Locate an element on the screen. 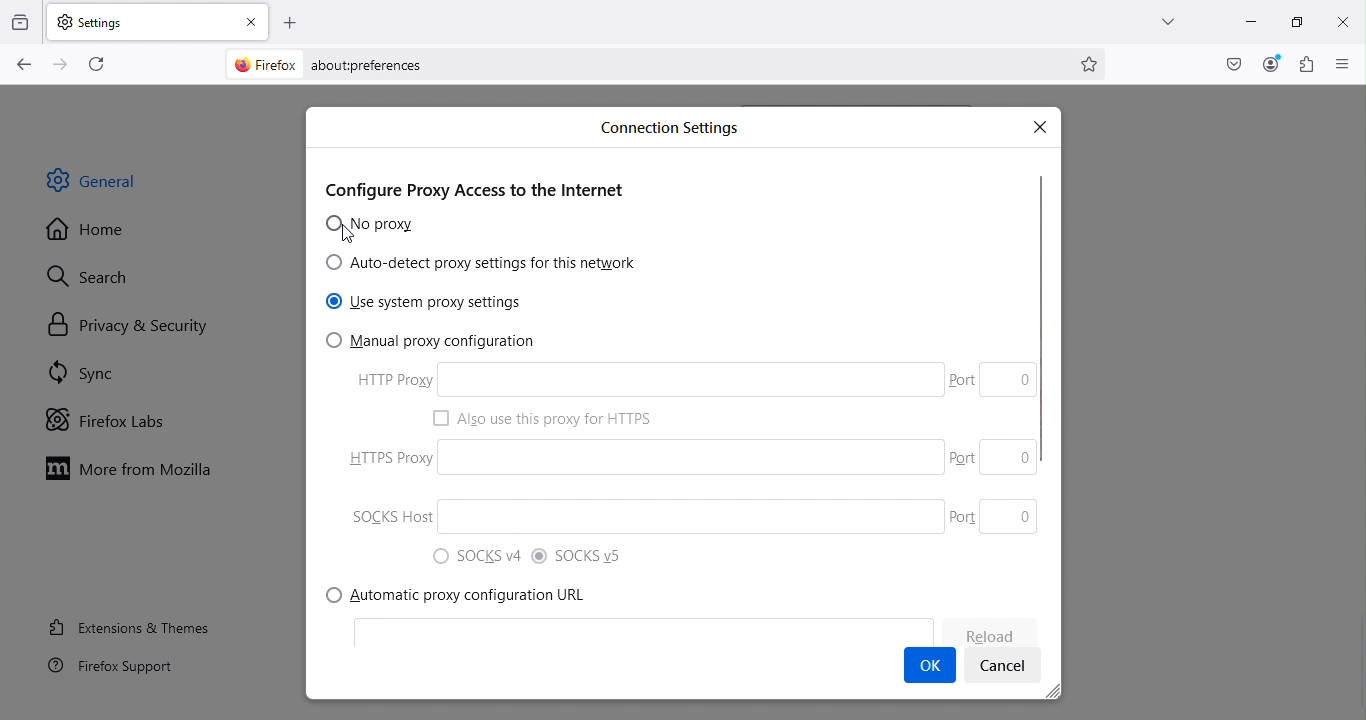  Reload is located at coordinates (984, 635).